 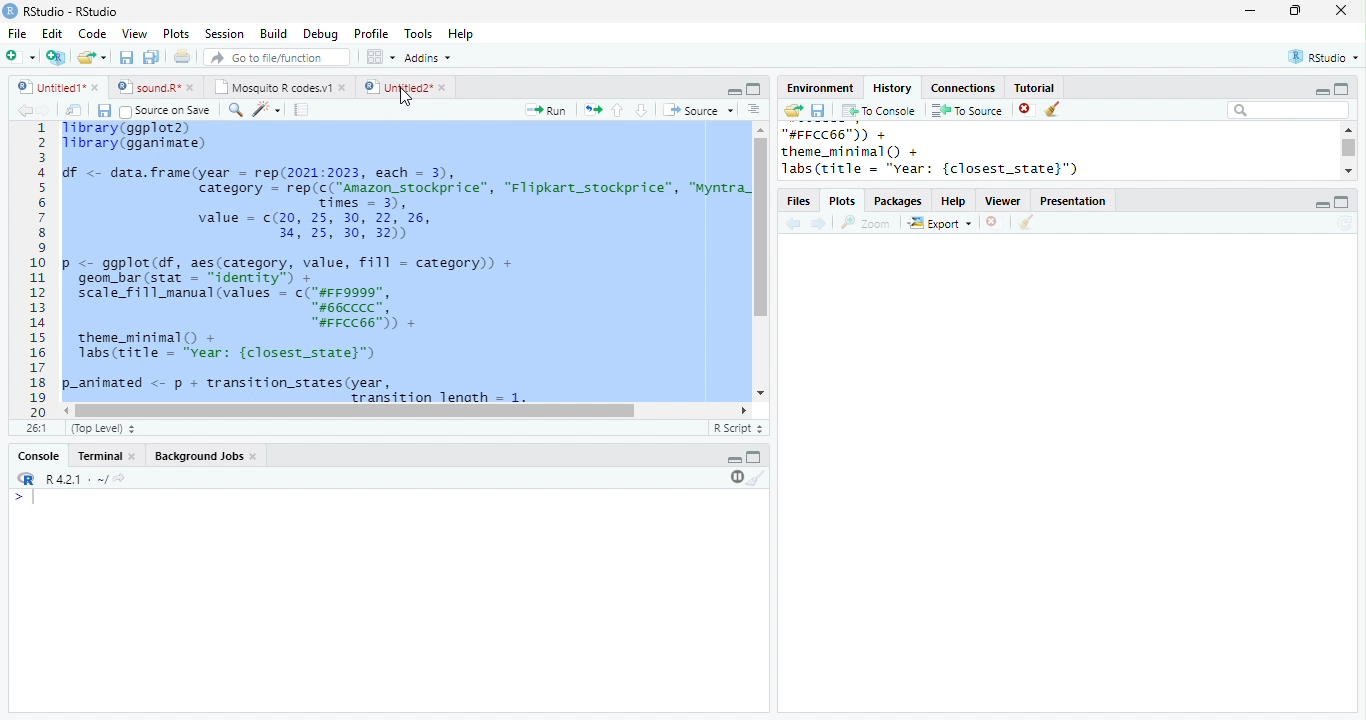 What do you see at coordinates (147, 88) in the screenshot?
I see `sound.R` at bounding box center [147, 88].